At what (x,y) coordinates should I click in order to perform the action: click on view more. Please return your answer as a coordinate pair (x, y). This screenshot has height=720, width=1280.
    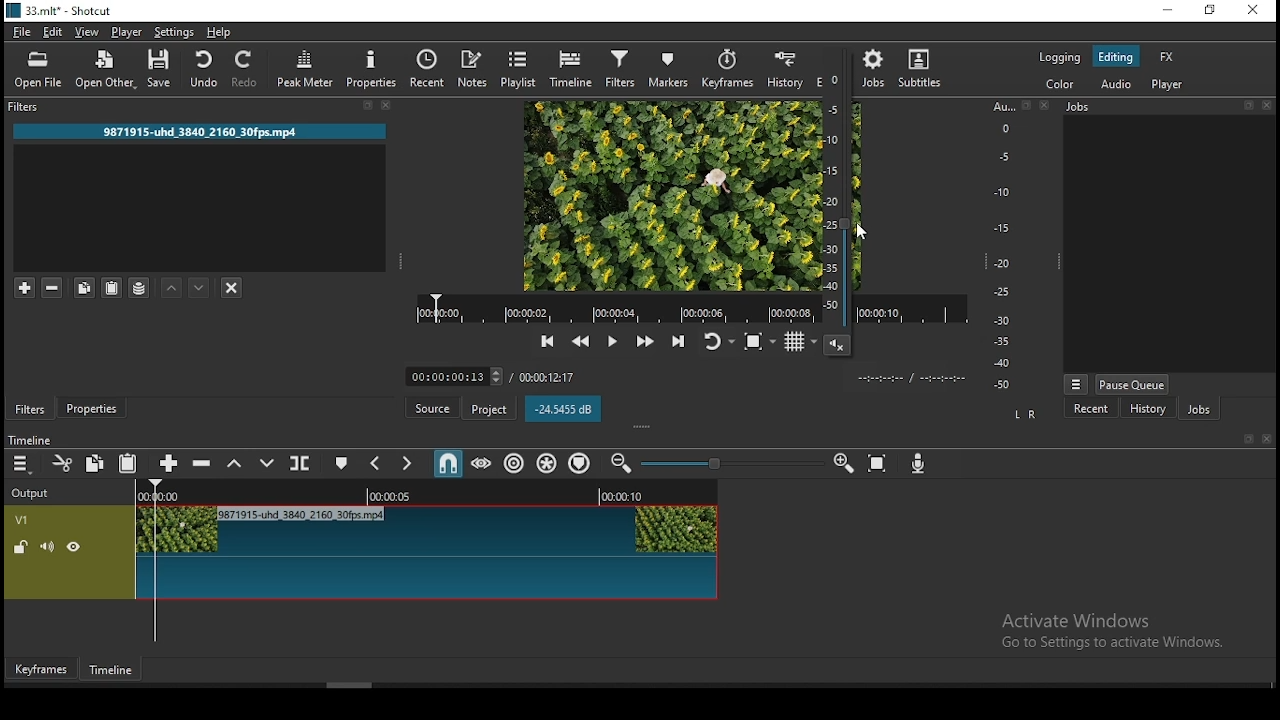
    Looking at the image, I should click on (1077, 382).